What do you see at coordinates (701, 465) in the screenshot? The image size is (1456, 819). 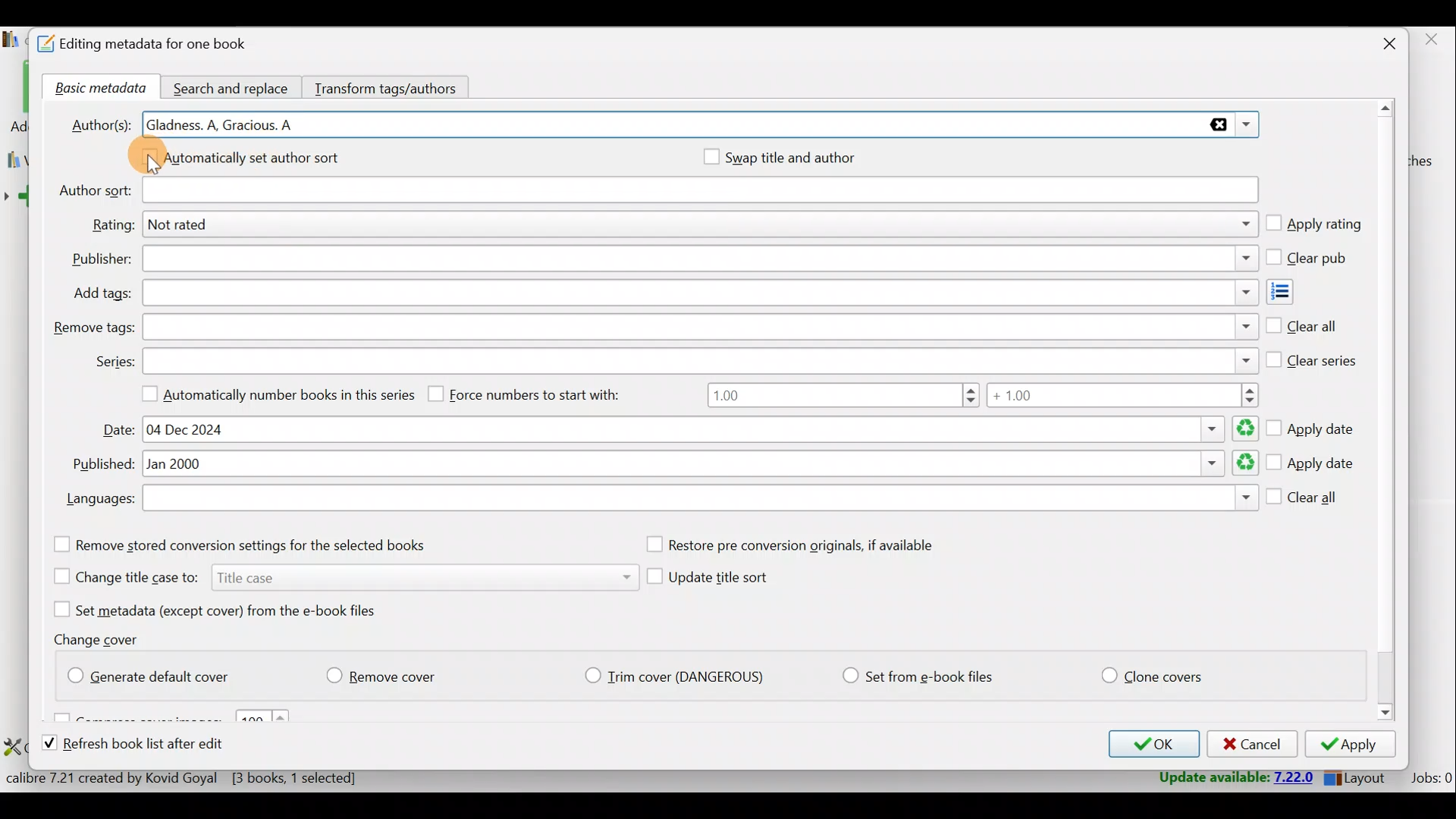 I see `Published` at bounding box center [701, 465].